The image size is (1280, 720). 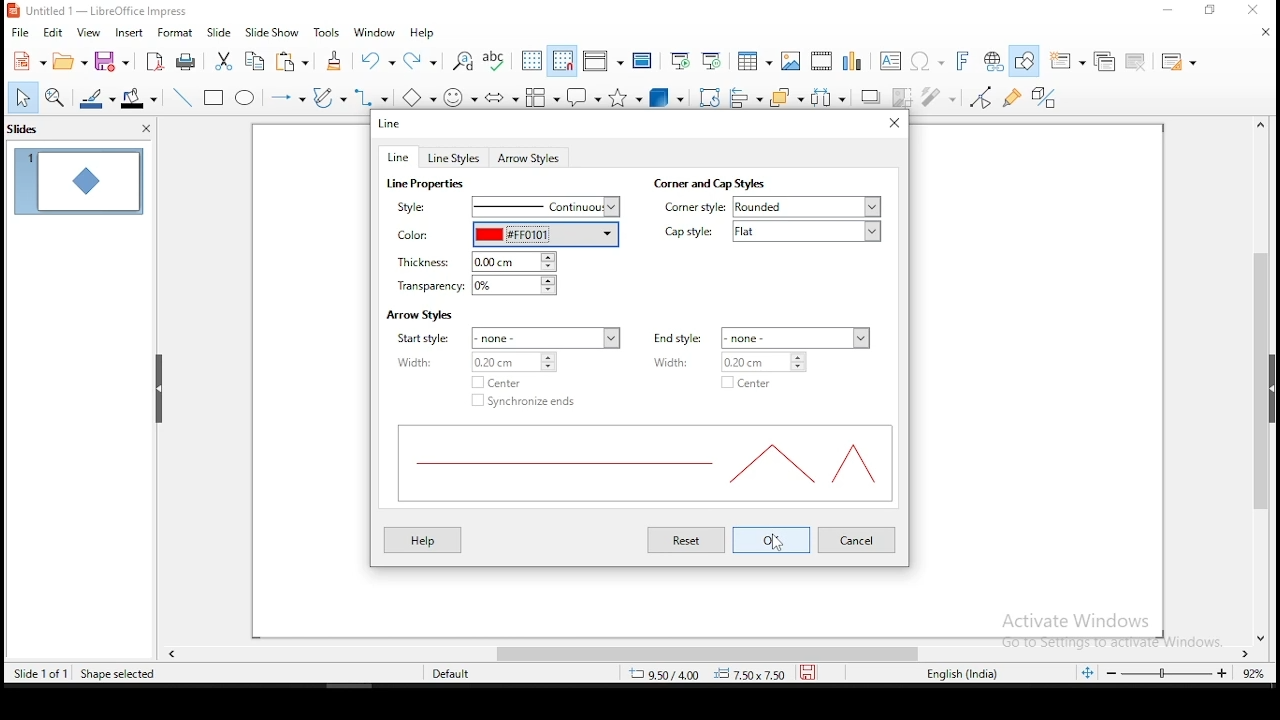 I want to click on delete slide, so click(x=1137, y=63).